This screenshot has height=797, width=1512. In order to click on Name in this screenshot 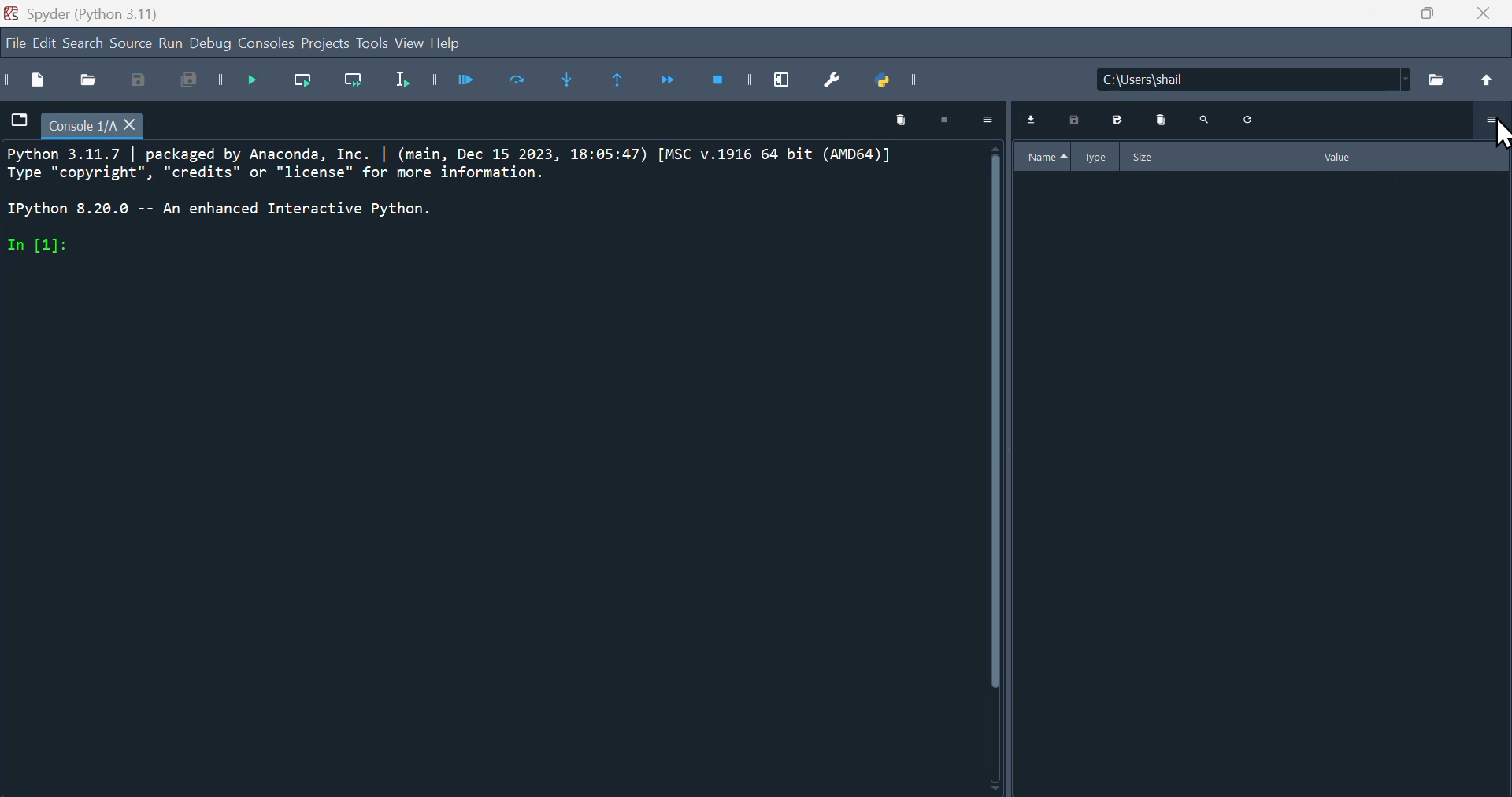, I will do `click(1047, 158)`.